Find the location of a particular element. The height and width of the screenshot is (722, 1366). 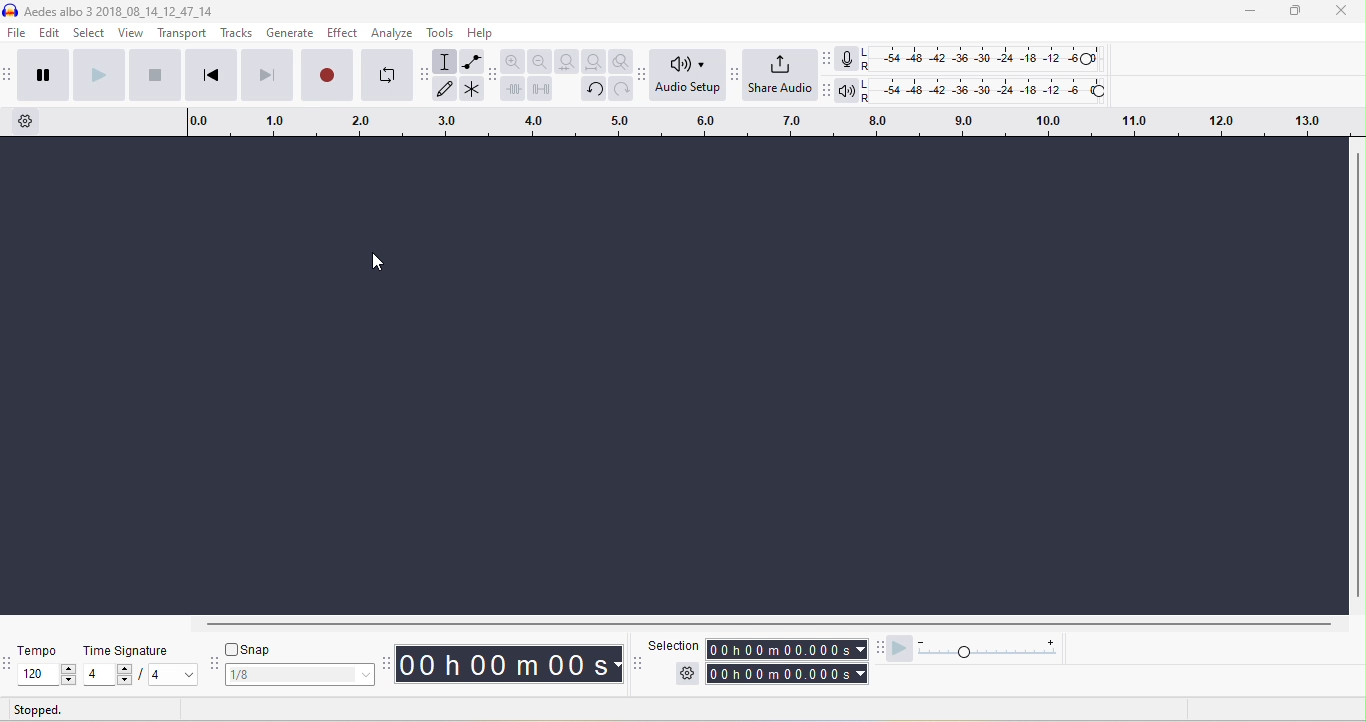

select time parameter is located at coordinates (860, 649).